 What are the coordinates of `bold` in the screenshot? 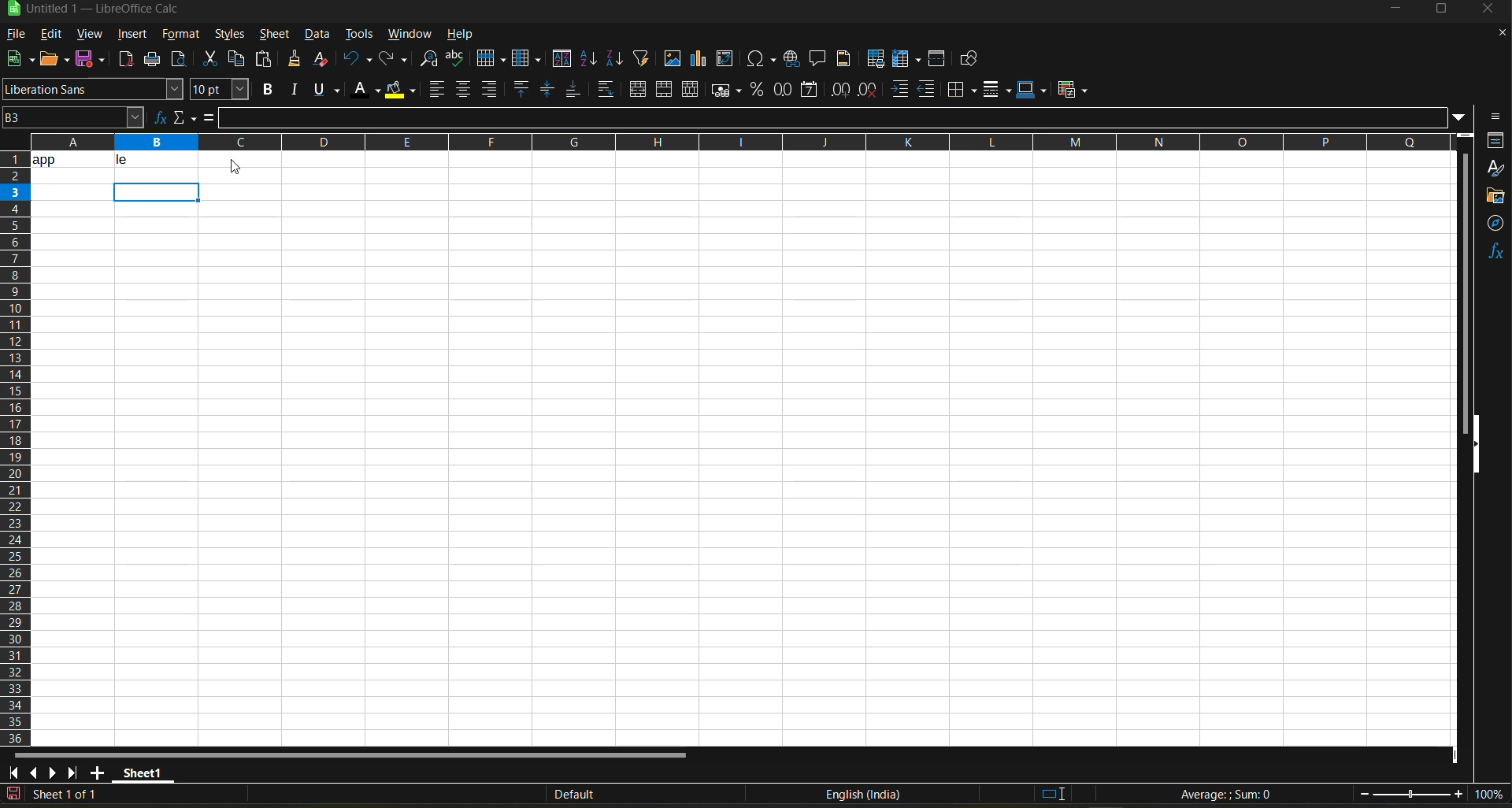 It's located at (265, 90).